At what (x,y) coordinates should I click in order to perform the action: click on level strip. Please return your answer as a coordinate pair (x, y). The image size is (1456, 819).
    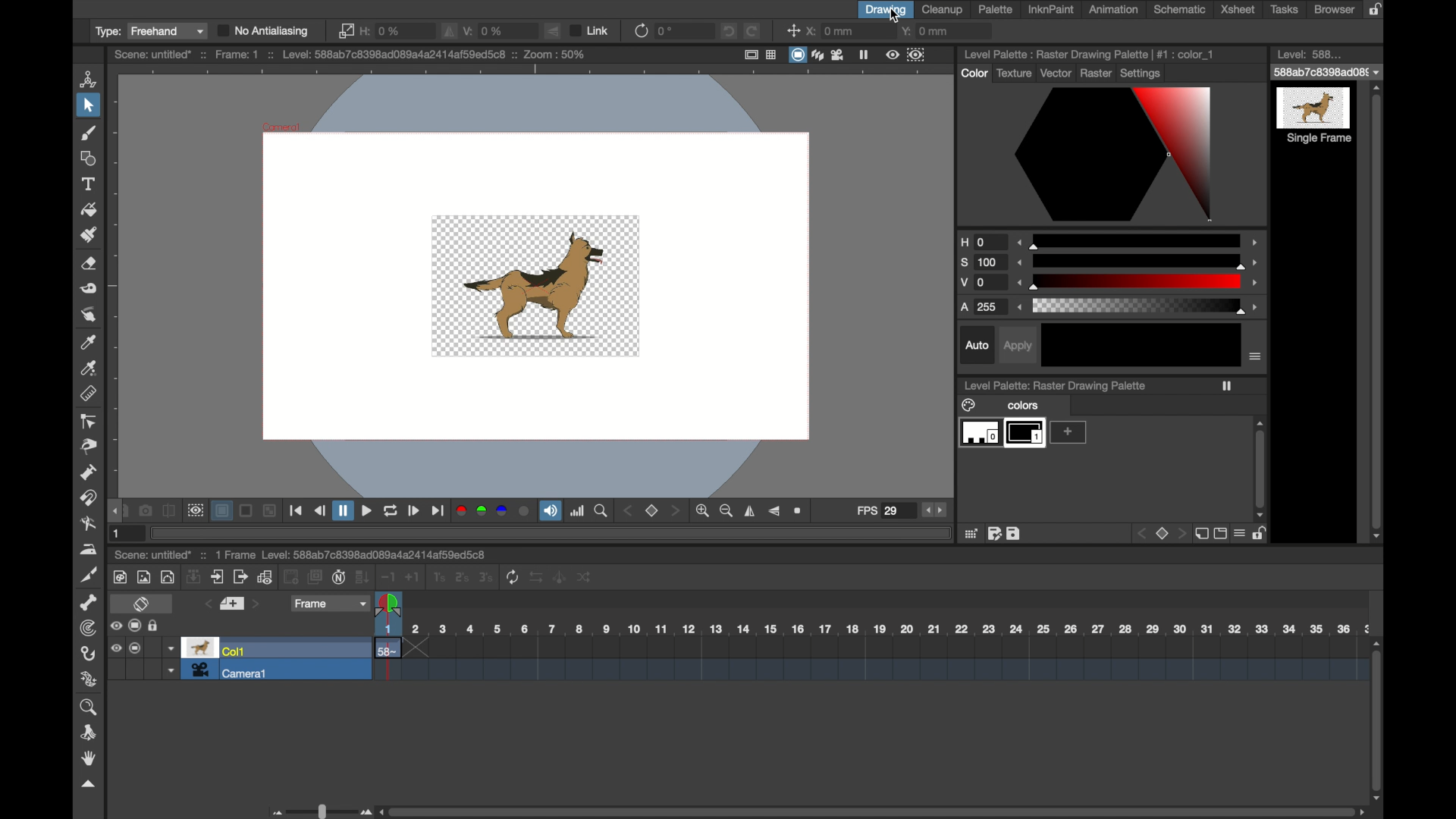
    Looking at the image, I should click on (1304, 53).